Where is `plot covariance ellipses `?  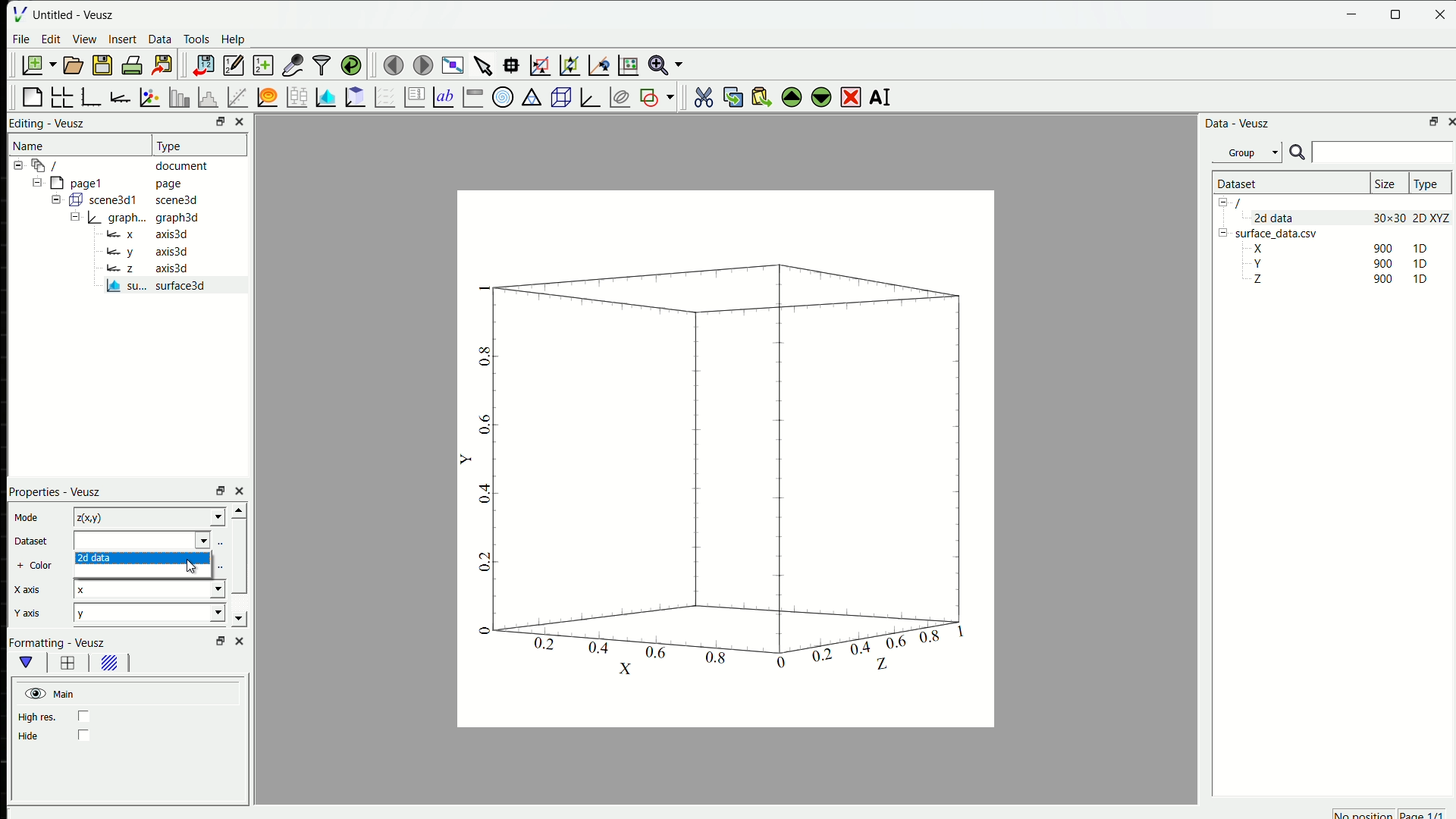
plot covariance ellipses  is located at coordinates (621, 96).